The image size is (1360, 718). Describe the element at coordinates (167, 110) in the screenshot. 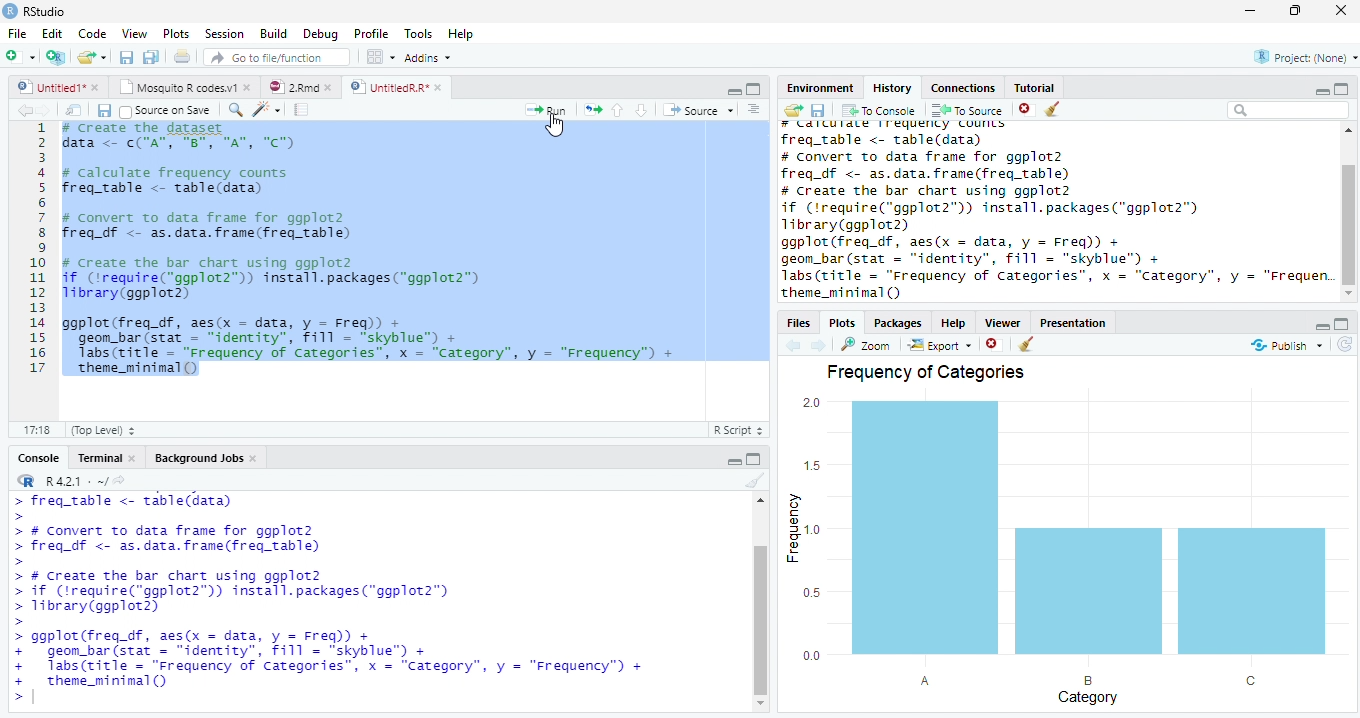

I see `Source on Save` at that location.